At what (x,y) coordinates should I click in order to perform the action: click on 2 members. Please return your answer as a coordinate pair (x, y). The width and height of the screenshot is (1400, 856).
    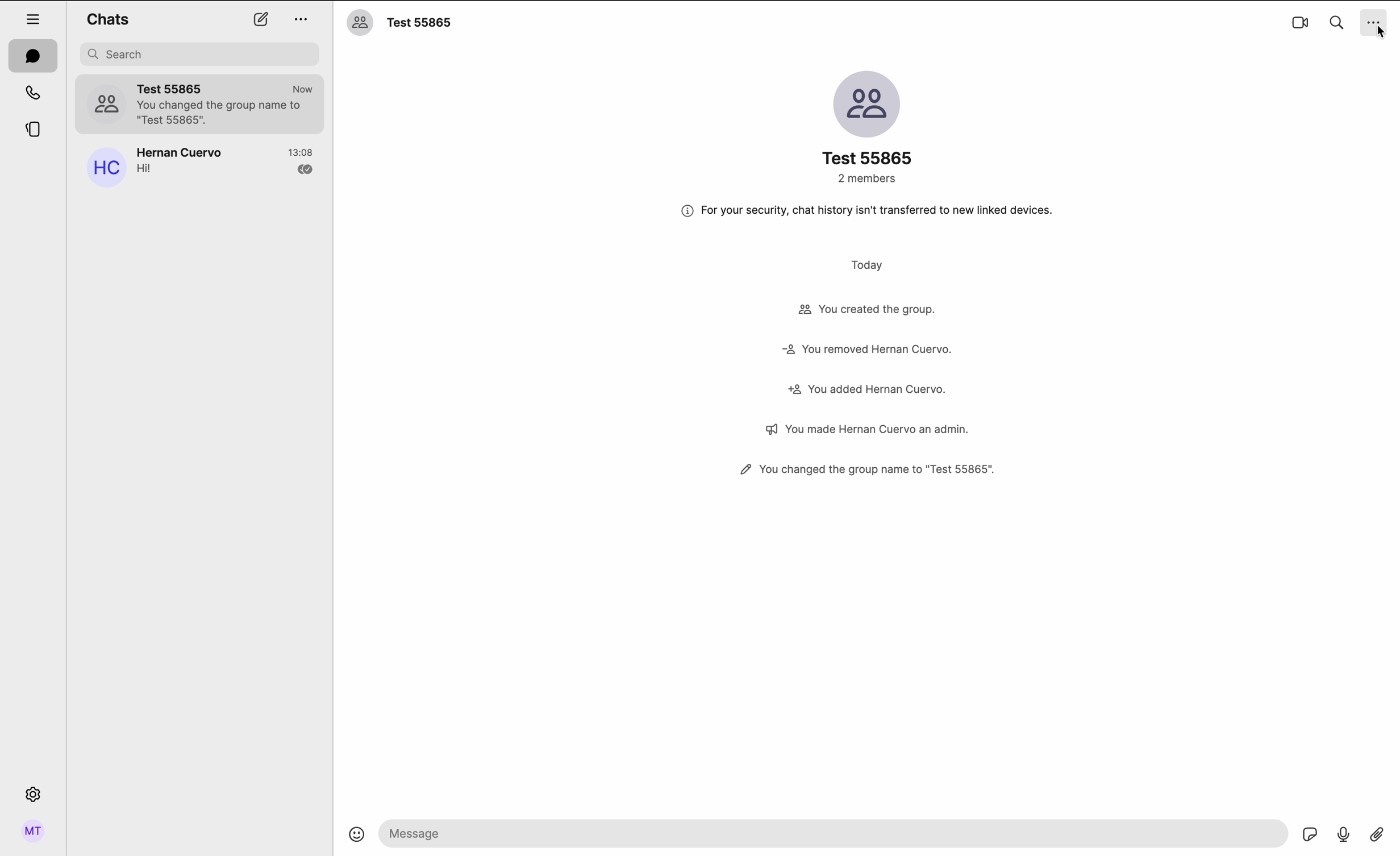
    Looking at the image, I should click on (869, 177).